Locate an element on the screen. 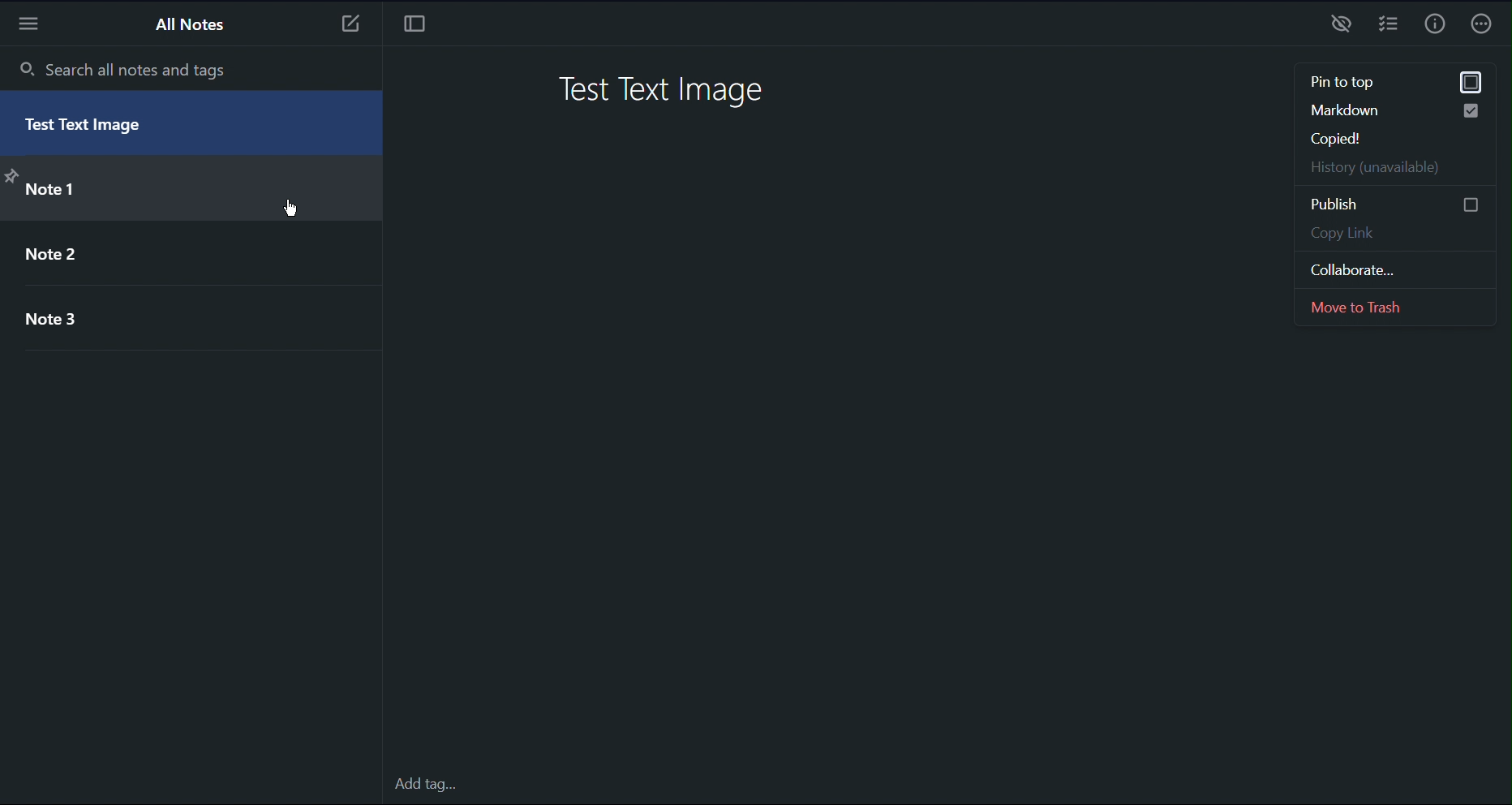  Search all notes and tags is located at coordinates (123, 68).